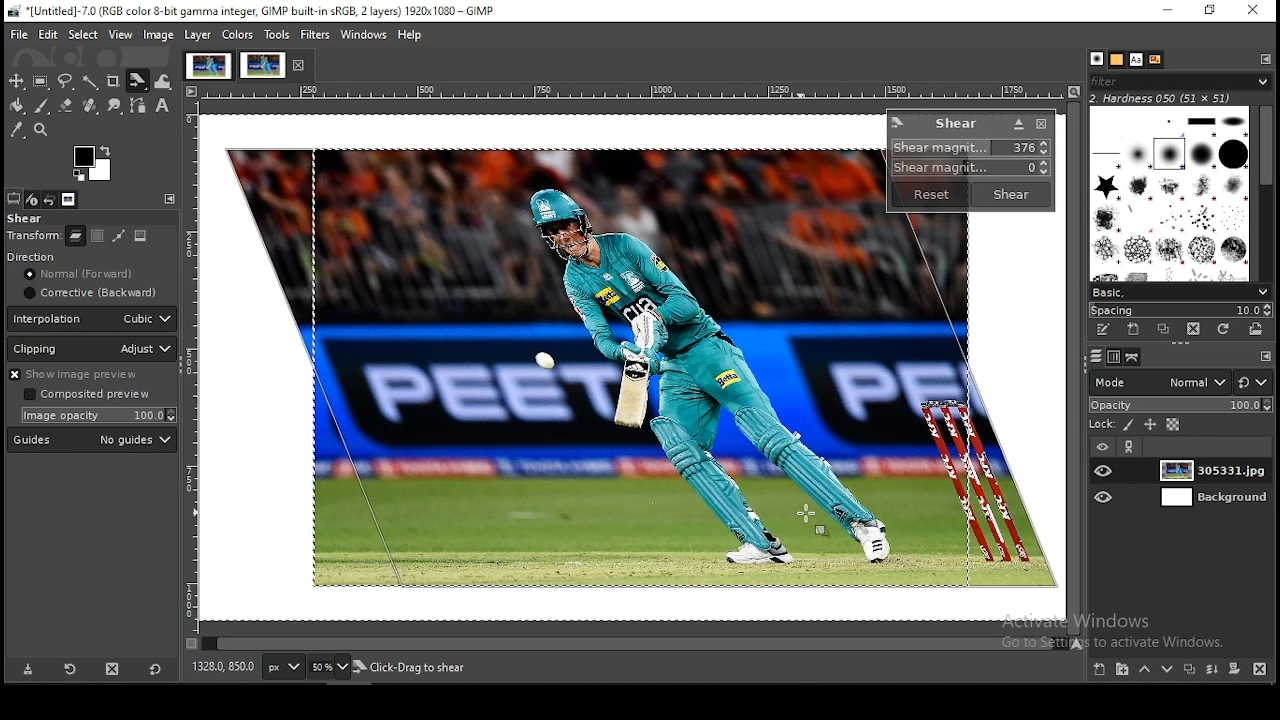 The width and height of the screenshot is (1280, 720). What do you see at coordinates (45, 107) in the screenshot?
I see `paint brush tool` at bounding box center [45, 107].